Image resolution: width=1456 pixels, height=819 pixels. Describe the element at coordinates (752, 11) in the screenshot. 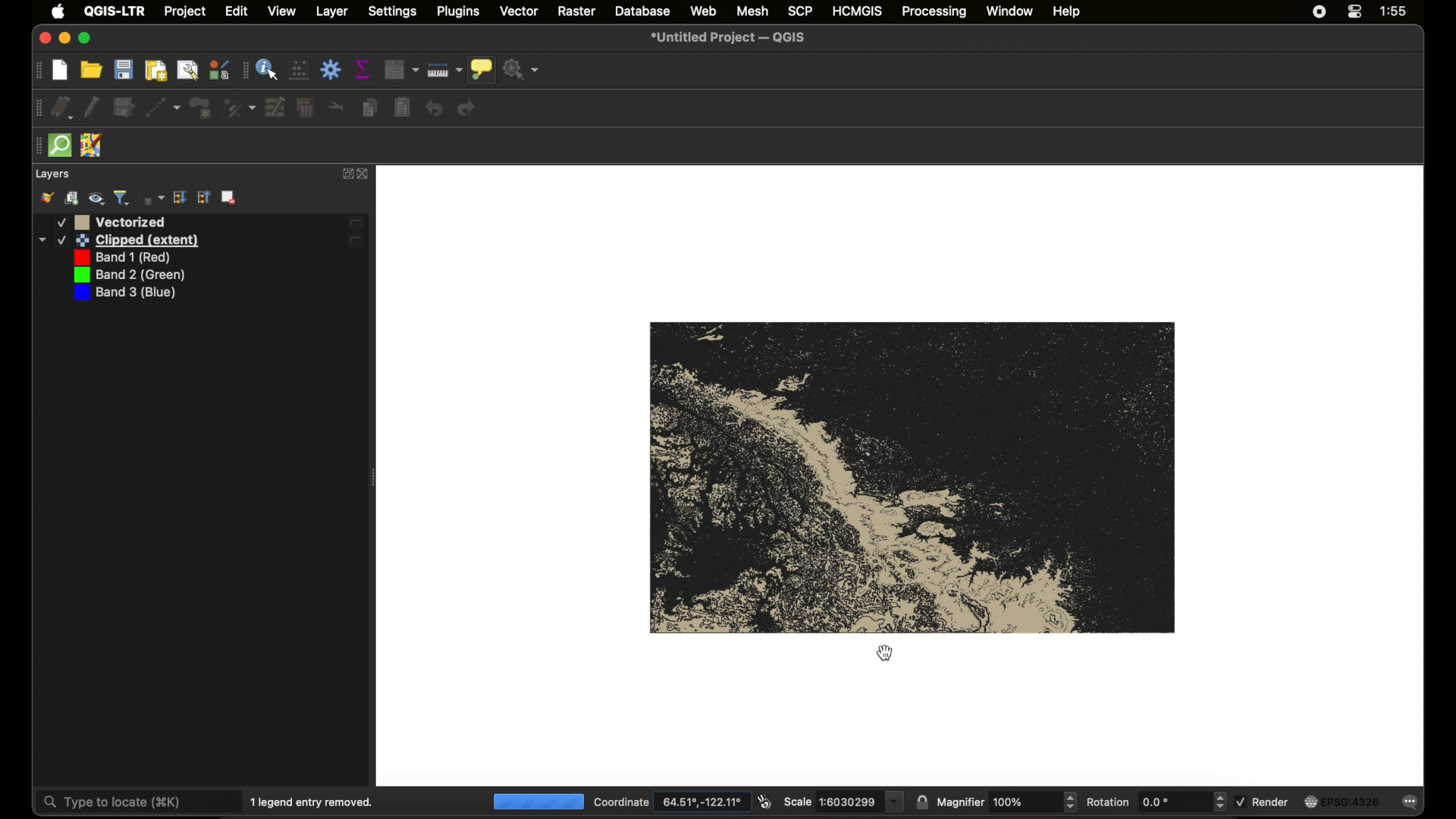

I see `mesh` at that location.